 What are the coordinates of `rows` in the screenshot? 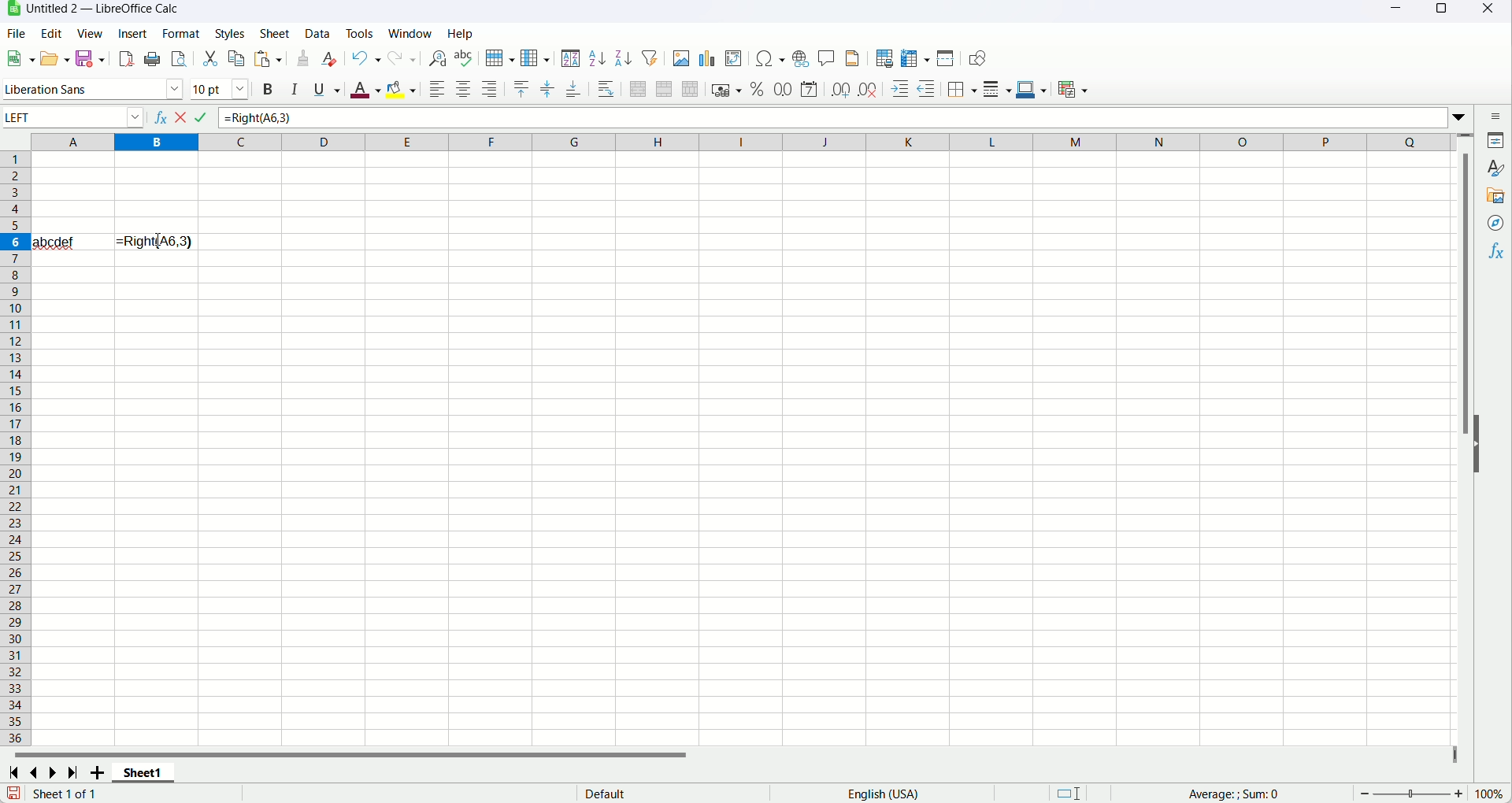 It's located at (15, 449).